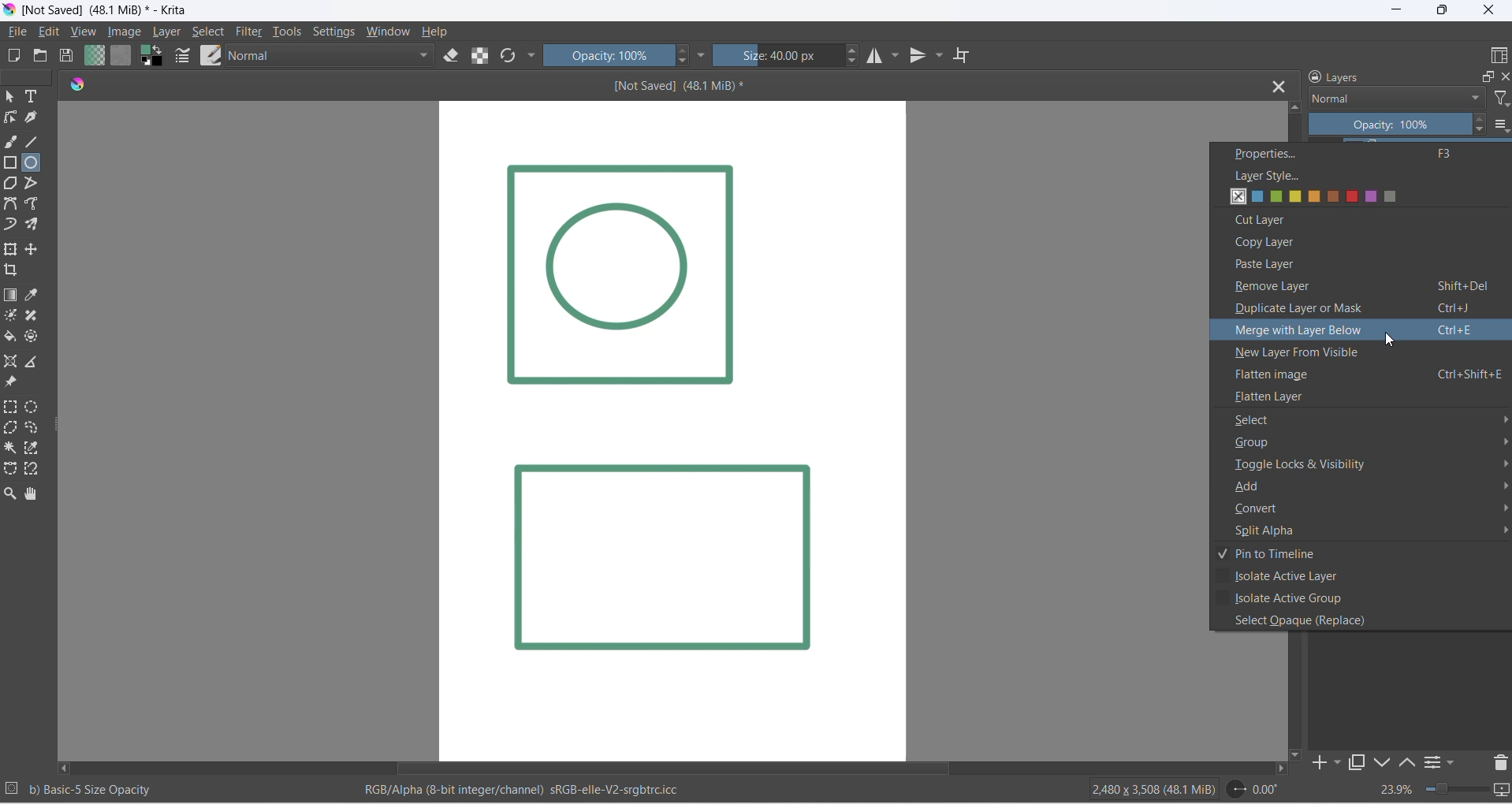  What do you see at coordinates (967, 57) in the screenshot?
I see `wrap around mode` at bounding box center [967, 57].